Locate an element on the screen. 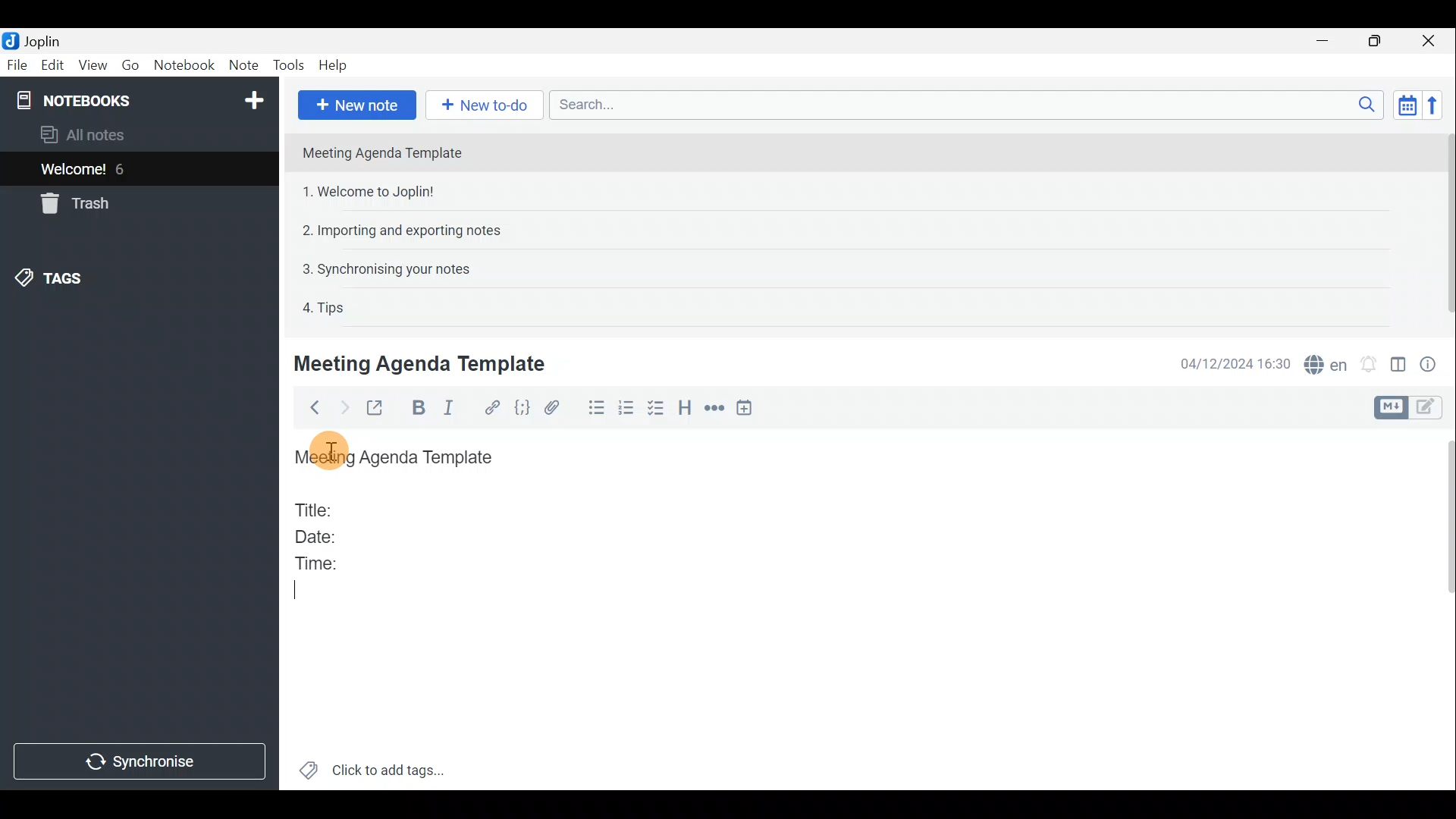 This screenshot has width=1456, height=819. Note is located at coordinates (242, 62).